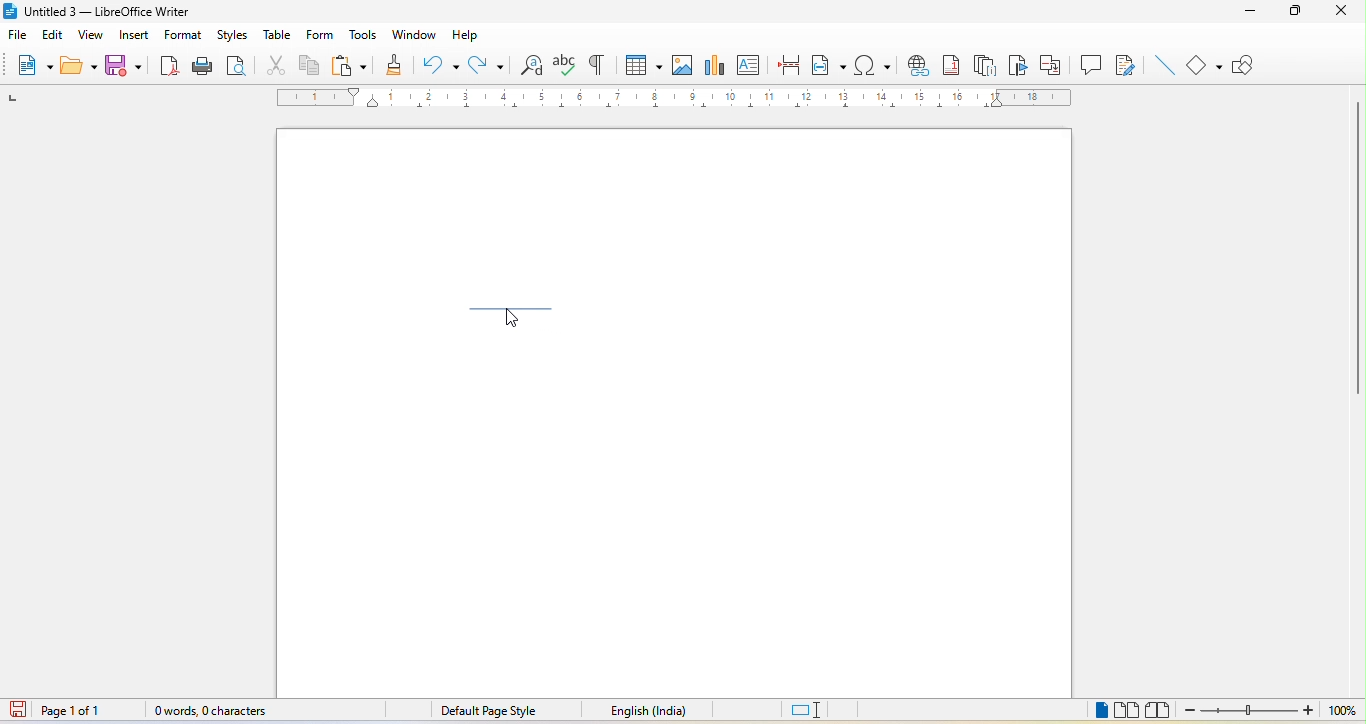  Describe the element at coordinates (202, 65) in the screenshot. I see `print` at that location.